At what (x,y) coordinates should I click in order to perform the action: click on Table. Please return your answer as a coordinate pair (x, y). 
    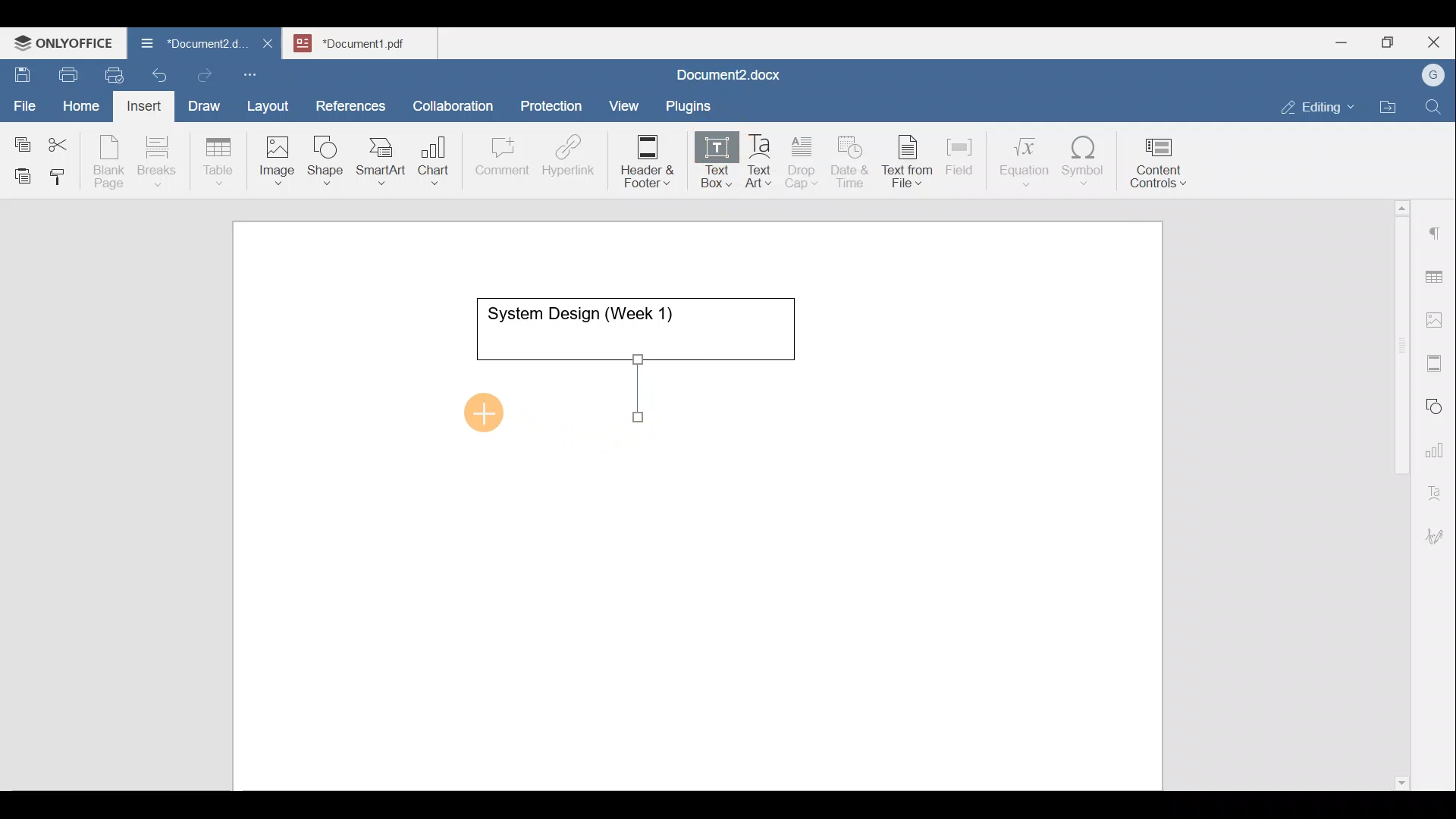
    Looking at the image, I should click on (219, 158).